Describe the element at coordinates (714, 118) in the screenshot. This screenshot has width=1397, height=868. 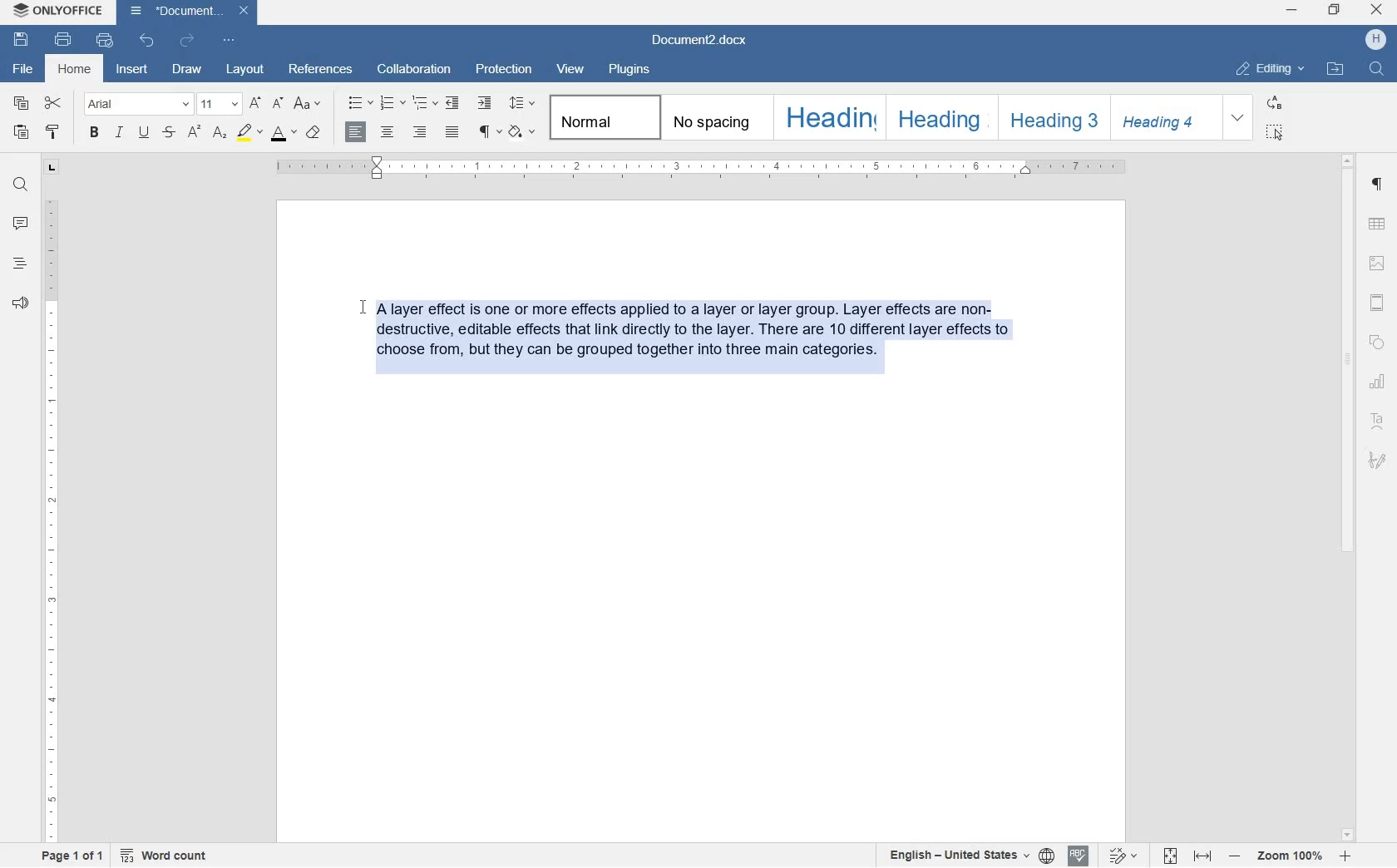
I see `no spacing` at that location.